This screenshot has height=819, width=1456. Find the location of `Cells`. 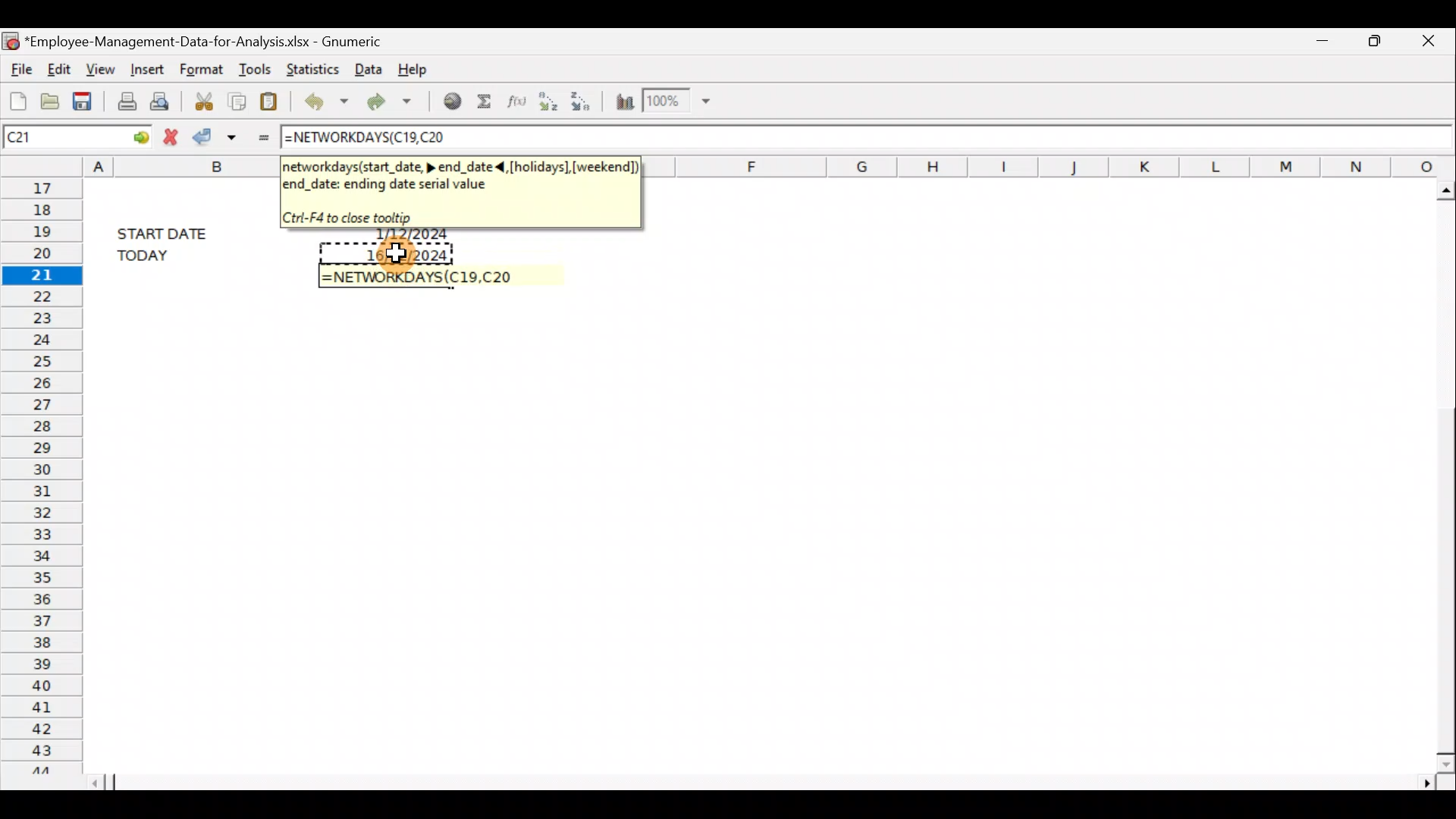

Cells is located at coordinates (750, 539).